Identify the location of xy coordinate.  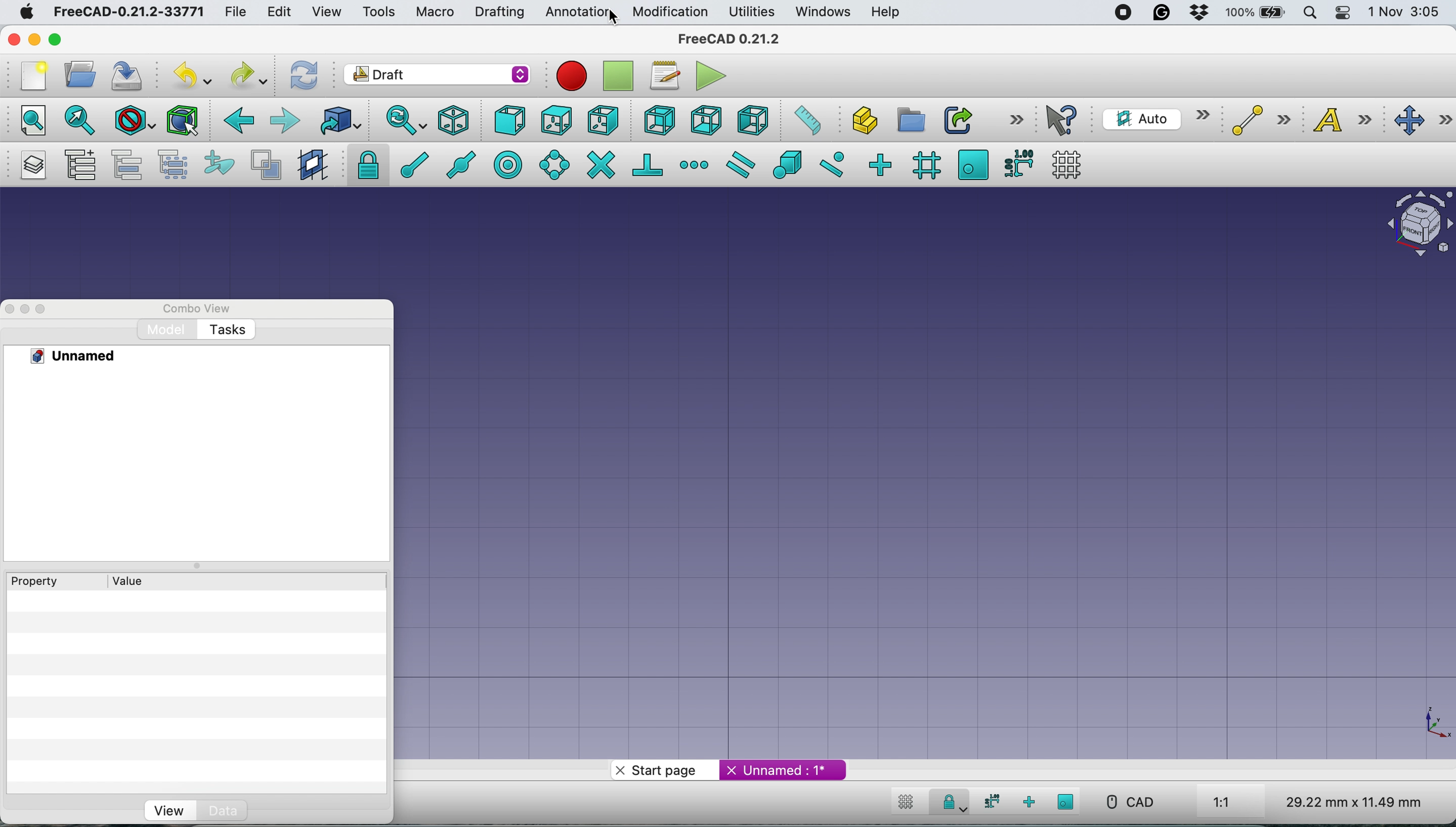
(1426, 721).